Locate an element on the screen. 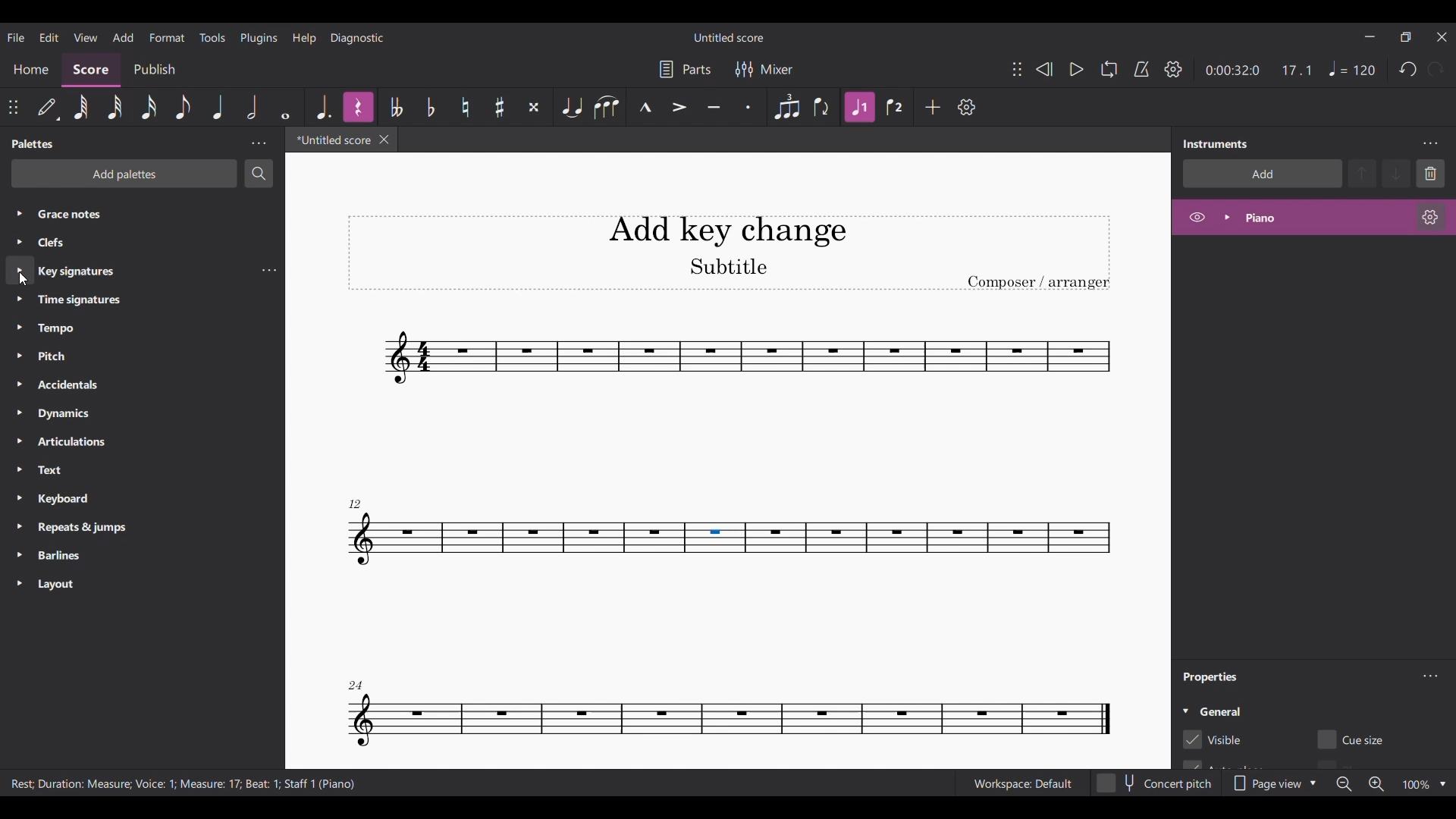 The height and width of the screenshot is (819, 1456). Setting of respective instrument is located at coordinates (1429, 217).